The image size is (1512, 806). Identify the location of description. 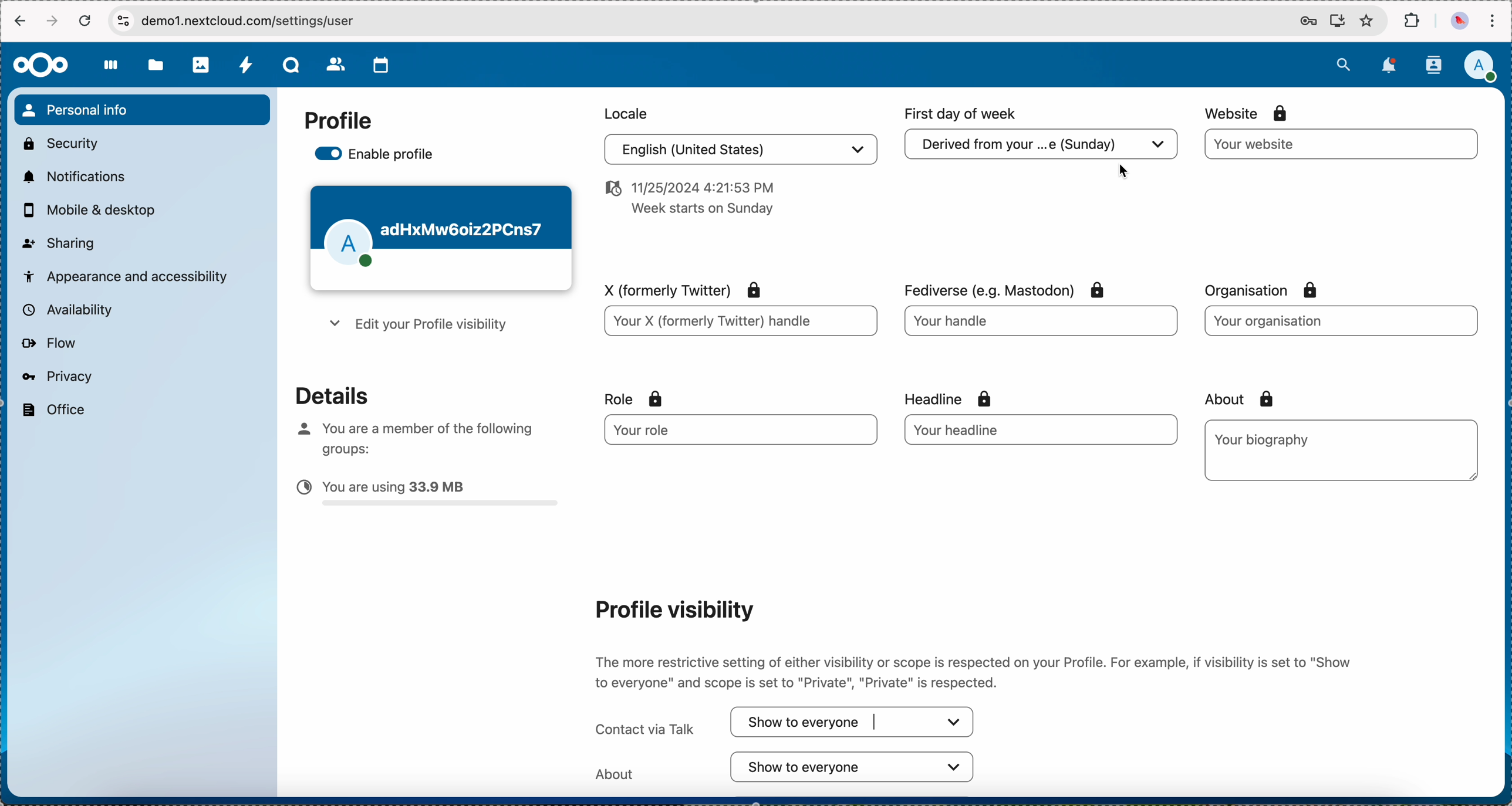
(970, 672).